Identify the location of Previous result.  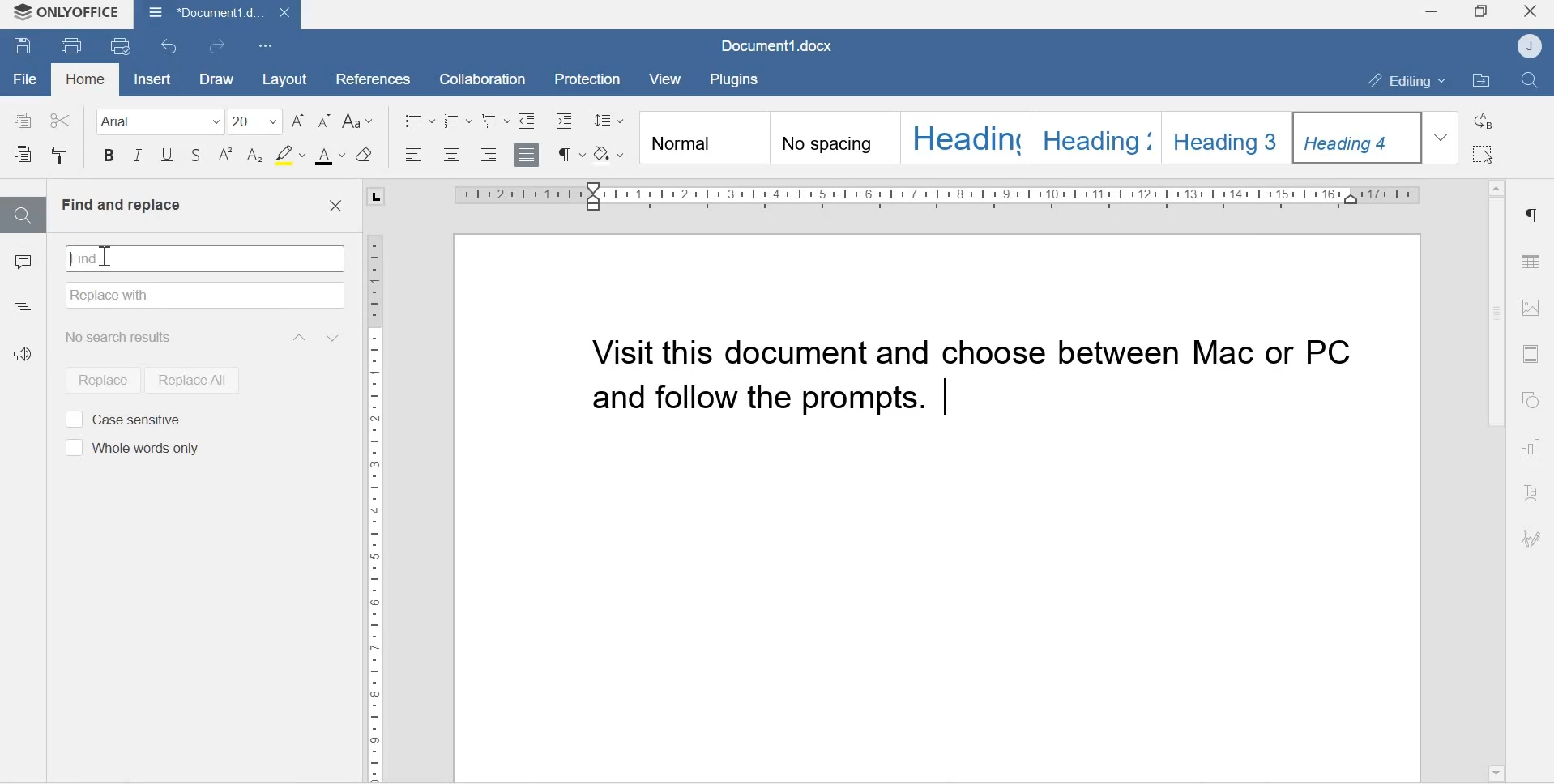
(297, 337).